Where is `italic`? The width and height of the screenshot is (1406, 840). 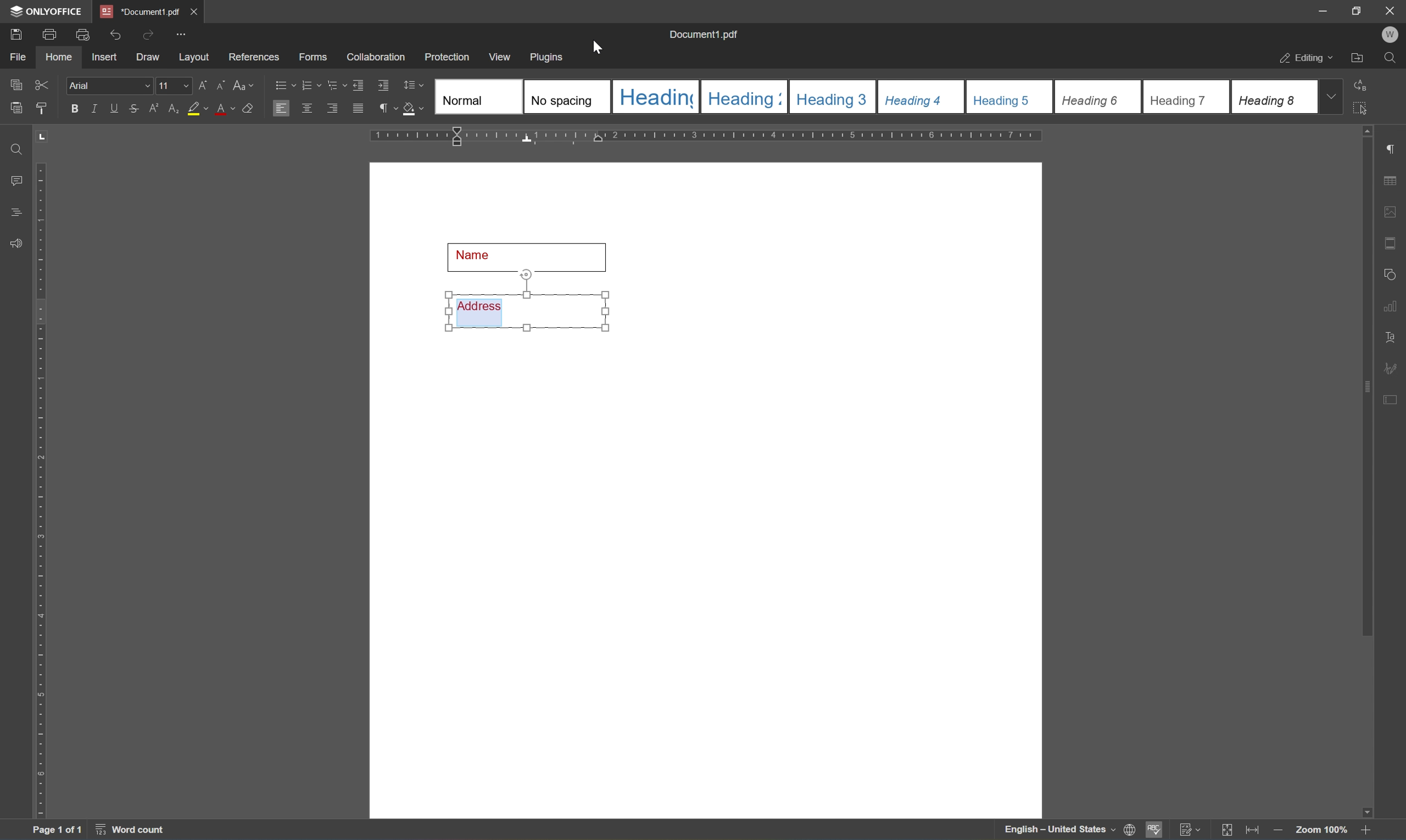 italic is located at coordinates (93, 108).